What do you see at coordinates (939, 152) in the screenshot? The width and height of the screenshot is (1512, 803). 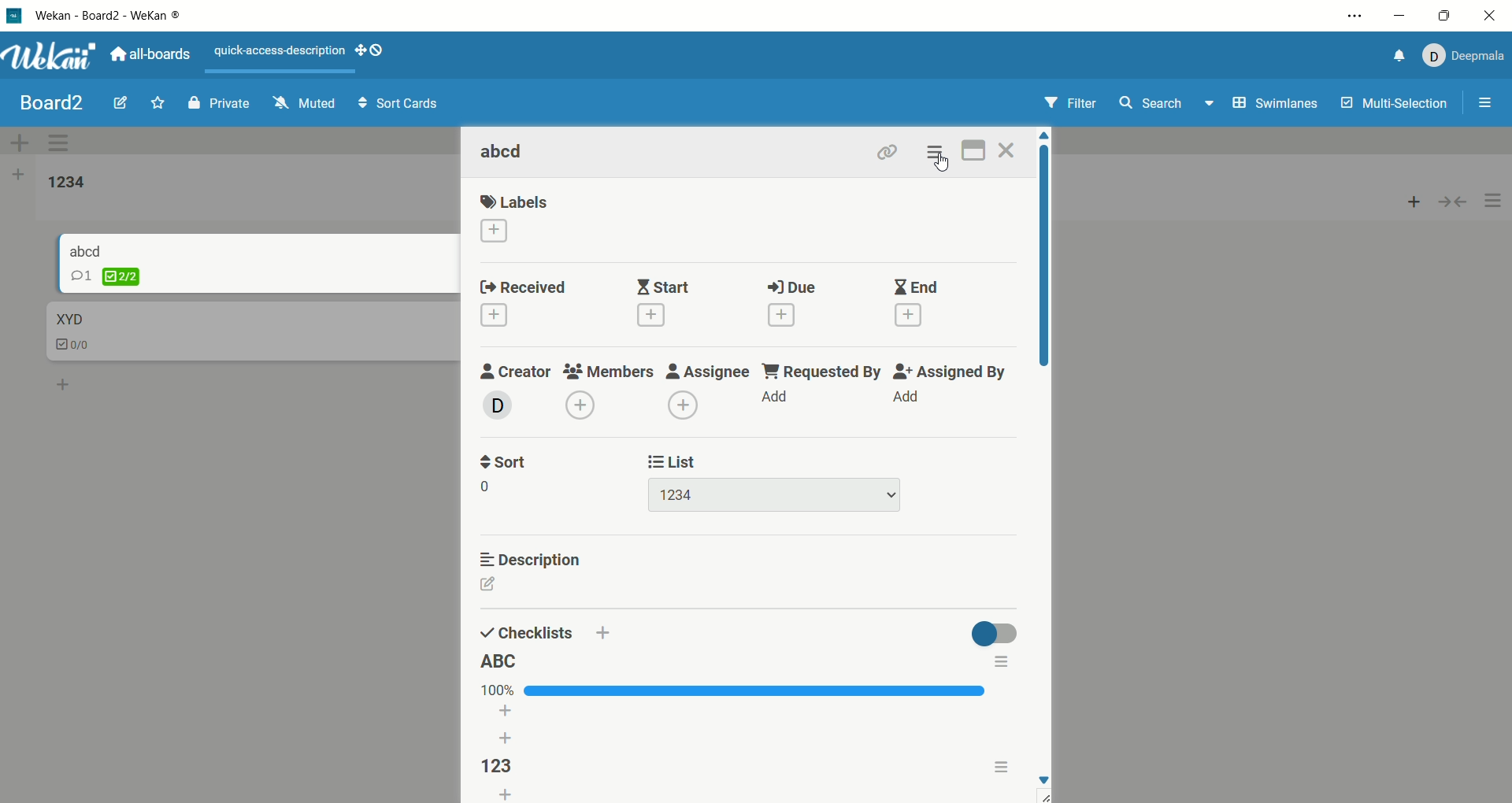 I see `selecting options` at bounding box center [939, 152].